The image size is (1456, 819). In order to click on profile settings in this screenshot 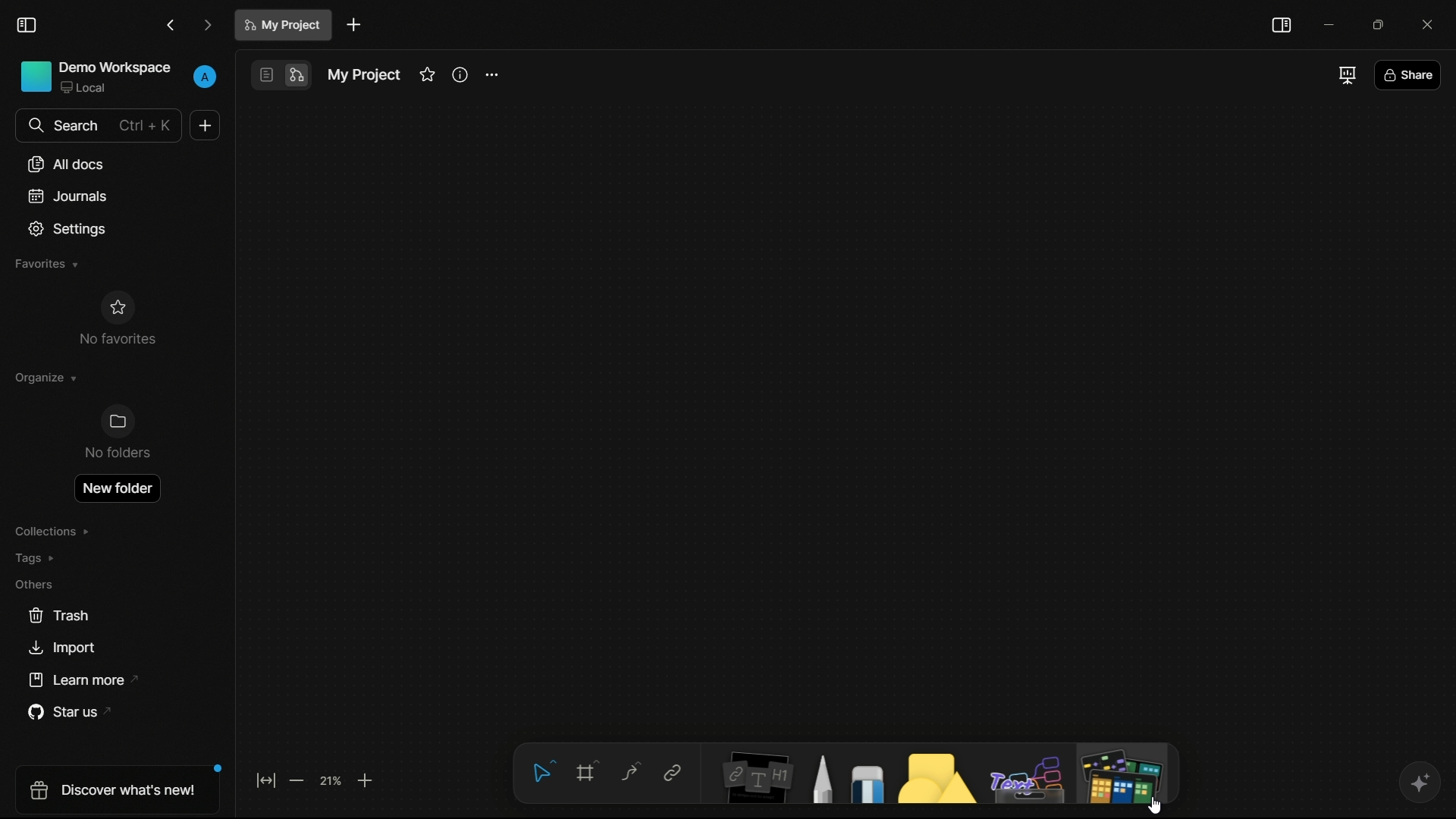, I will do `click(205, 77)`.